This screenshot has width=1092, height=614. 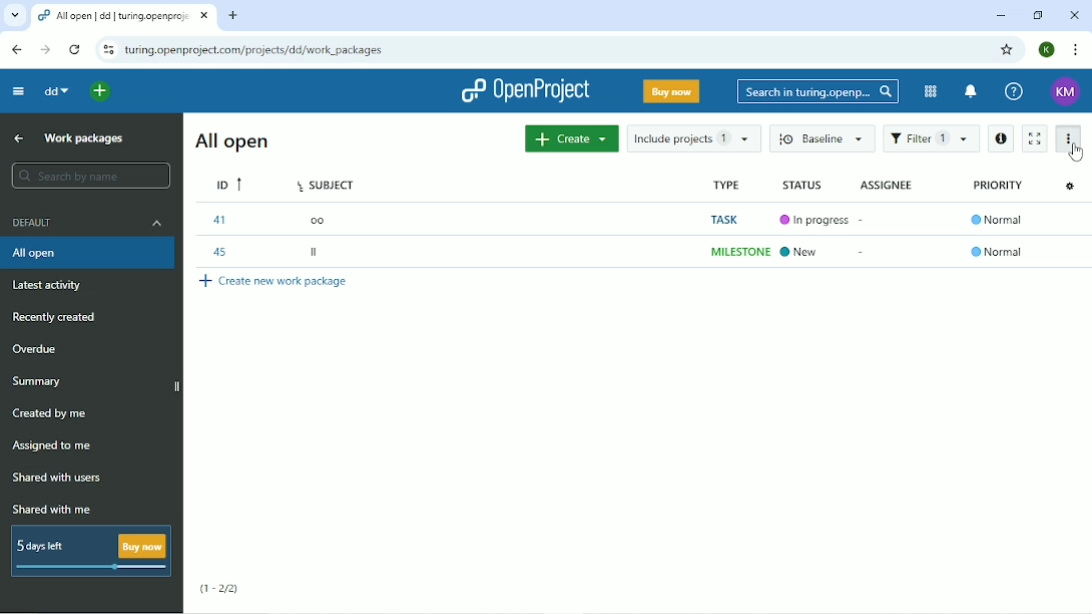 What do you see at coordinates (273, 281) in the screenshot?
I see `Create new work package` at bounding box center [273, 281].